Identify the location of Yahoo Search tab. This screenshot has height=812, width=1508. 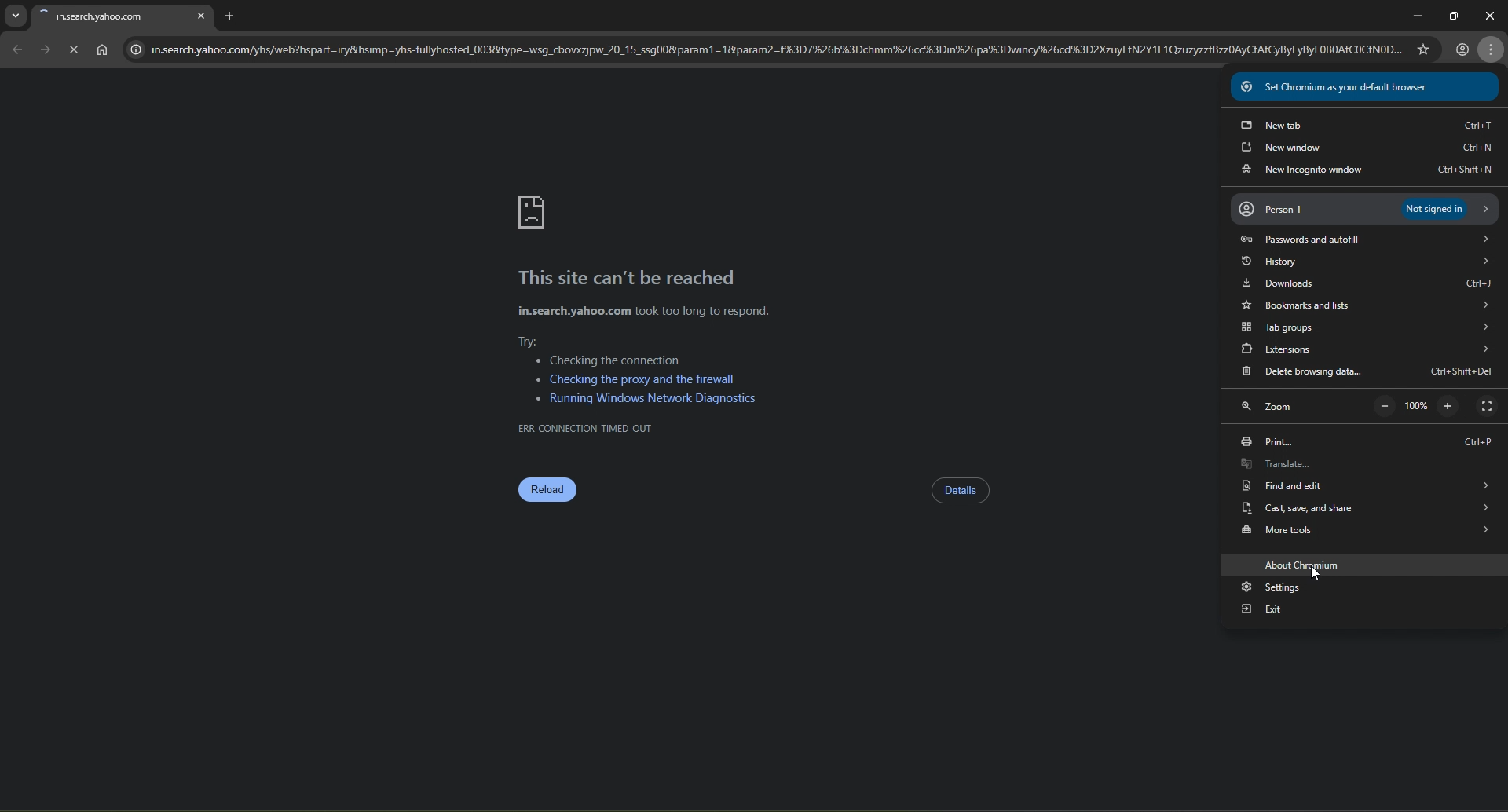
(108, 16).